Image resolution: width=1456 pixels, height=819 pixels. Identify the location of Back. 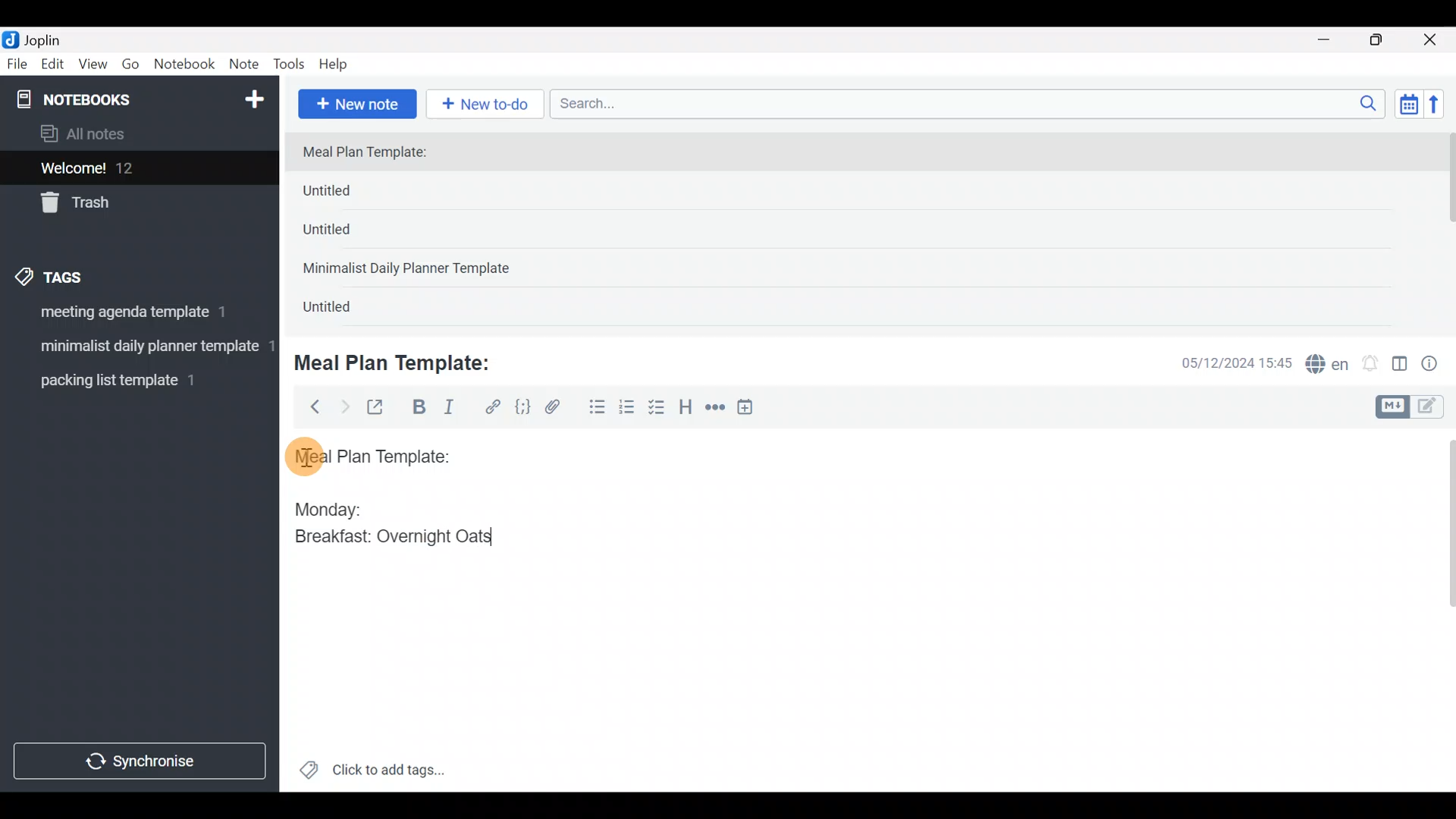
(309, 406).